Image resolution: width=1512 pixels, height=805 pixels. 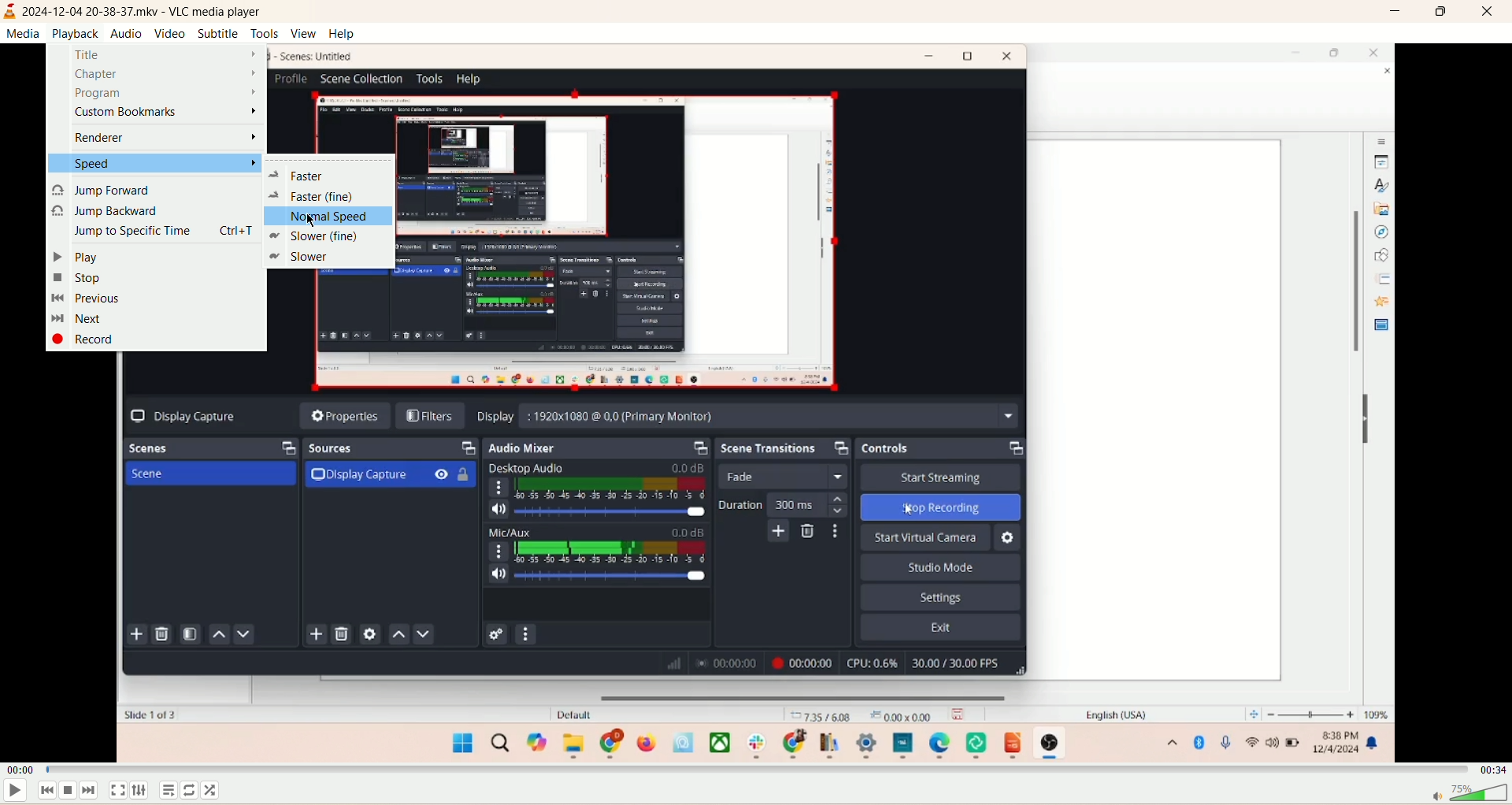 What do you see at coordinates (139, 792) in the screenshot?
I see `extended settings` at bounding box center [139, 792].